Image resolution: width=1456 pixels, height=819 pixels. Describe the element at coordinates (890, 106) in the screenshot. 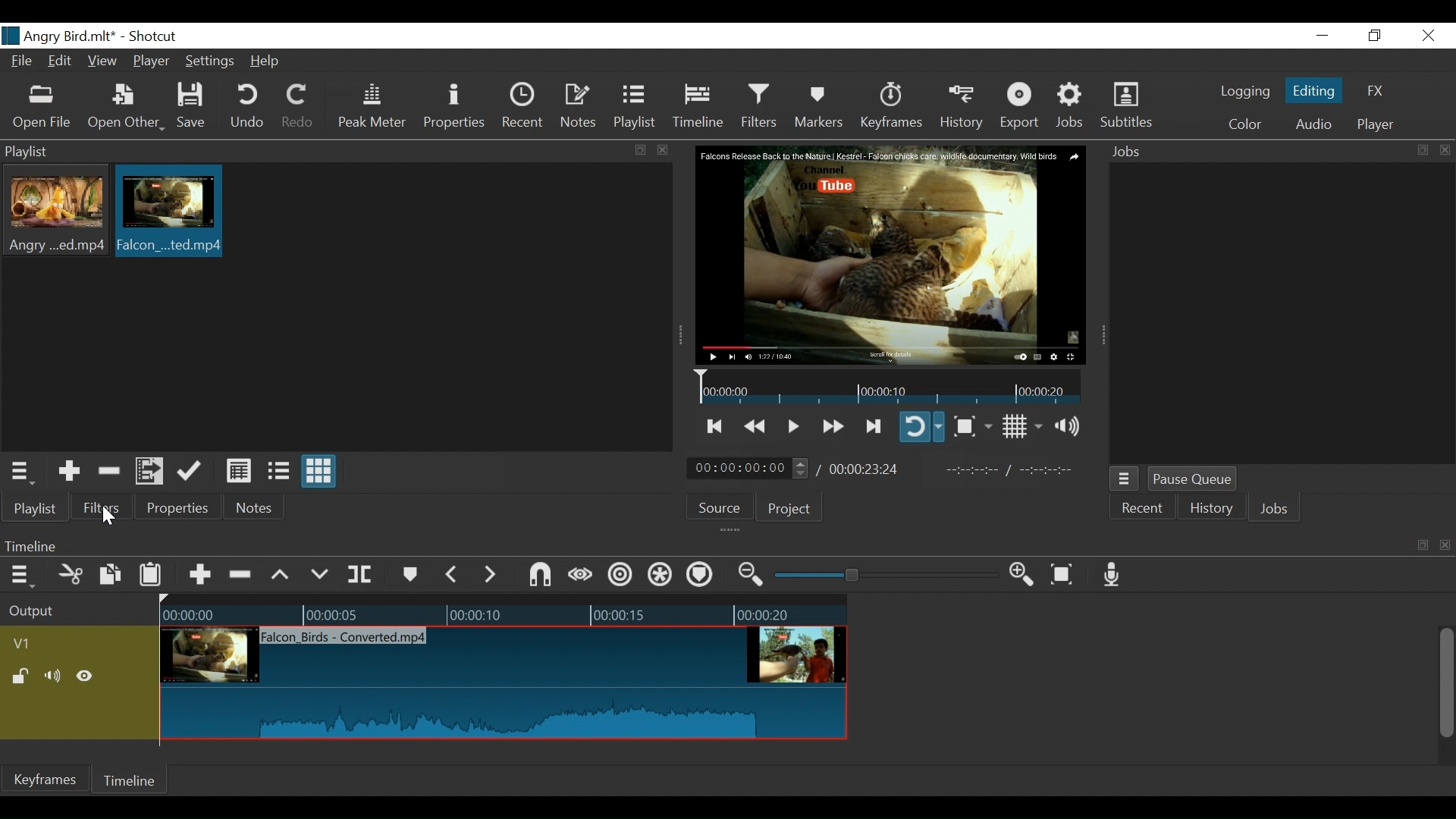

I see `Keyframes` at that location.